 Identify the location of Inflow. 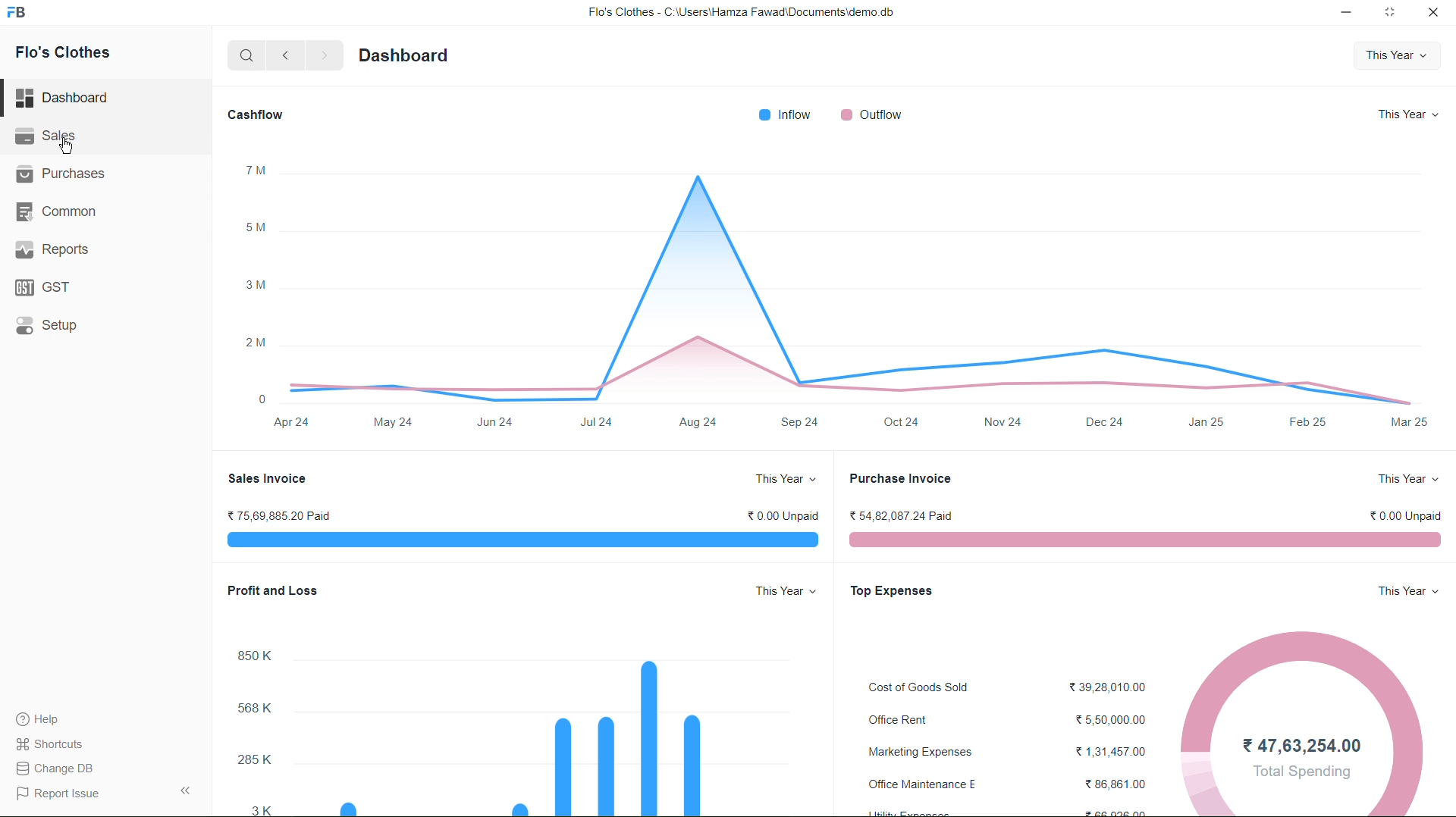
(778, 113).